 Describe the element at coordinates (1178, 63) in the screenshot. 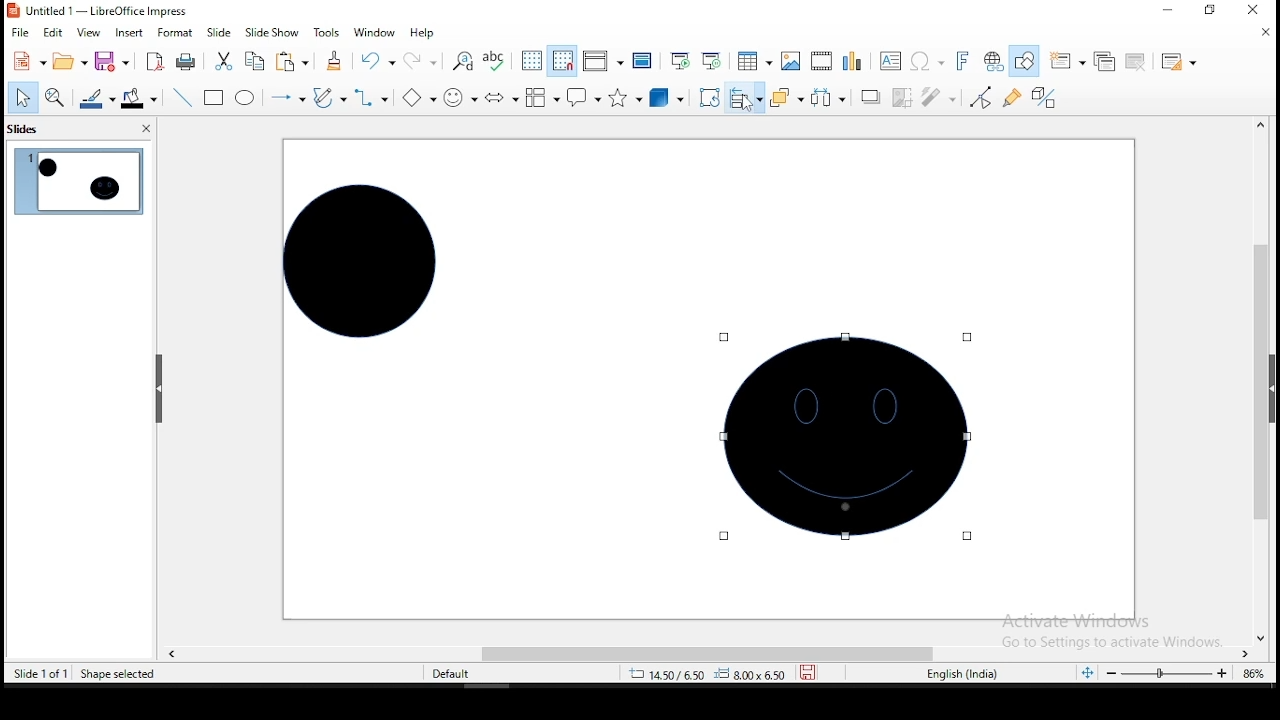

I see ` slide layout` at that location.